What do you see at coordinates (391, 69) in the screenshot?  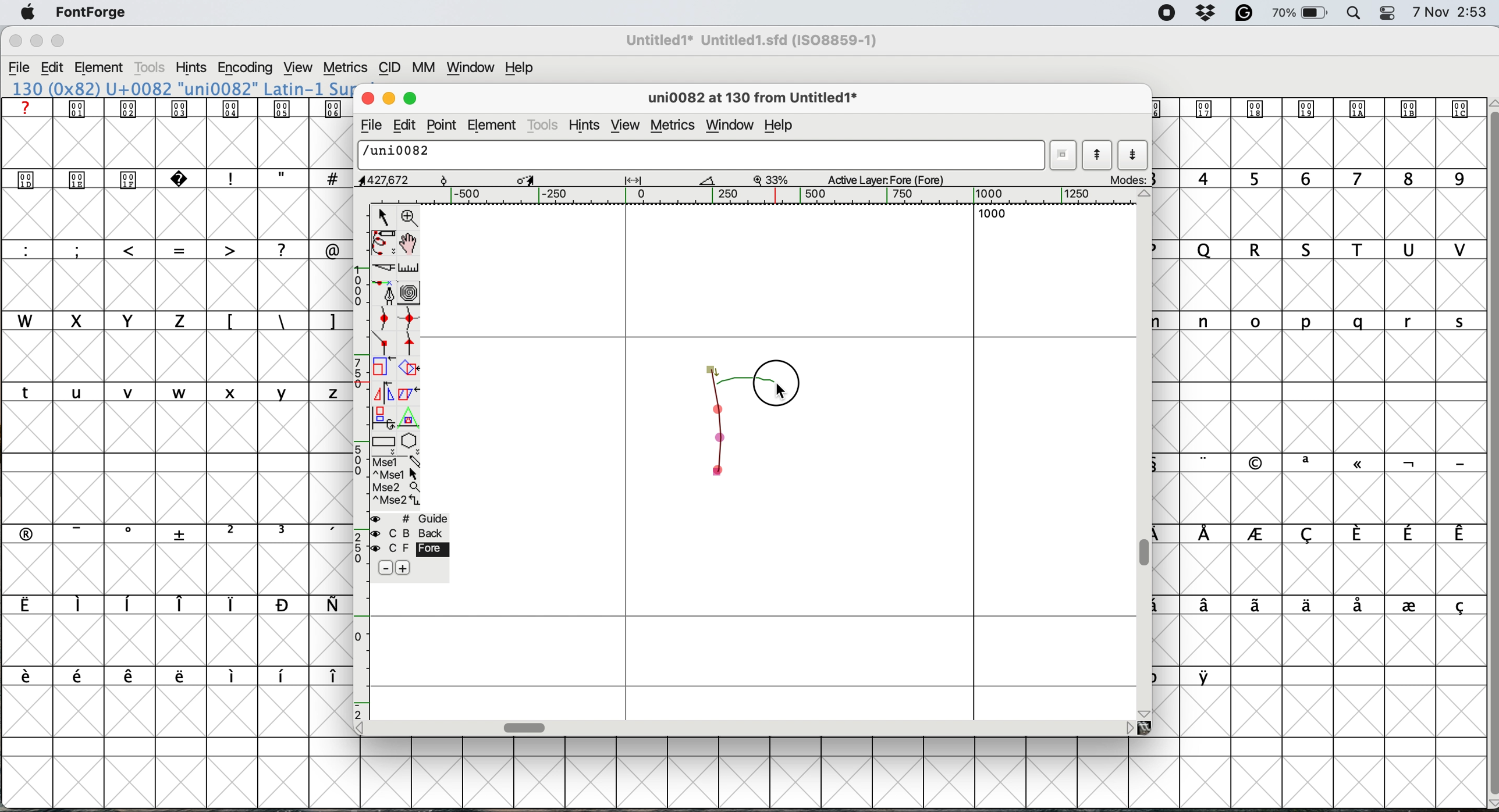 I see `cid` at bounding box center [391, 69].